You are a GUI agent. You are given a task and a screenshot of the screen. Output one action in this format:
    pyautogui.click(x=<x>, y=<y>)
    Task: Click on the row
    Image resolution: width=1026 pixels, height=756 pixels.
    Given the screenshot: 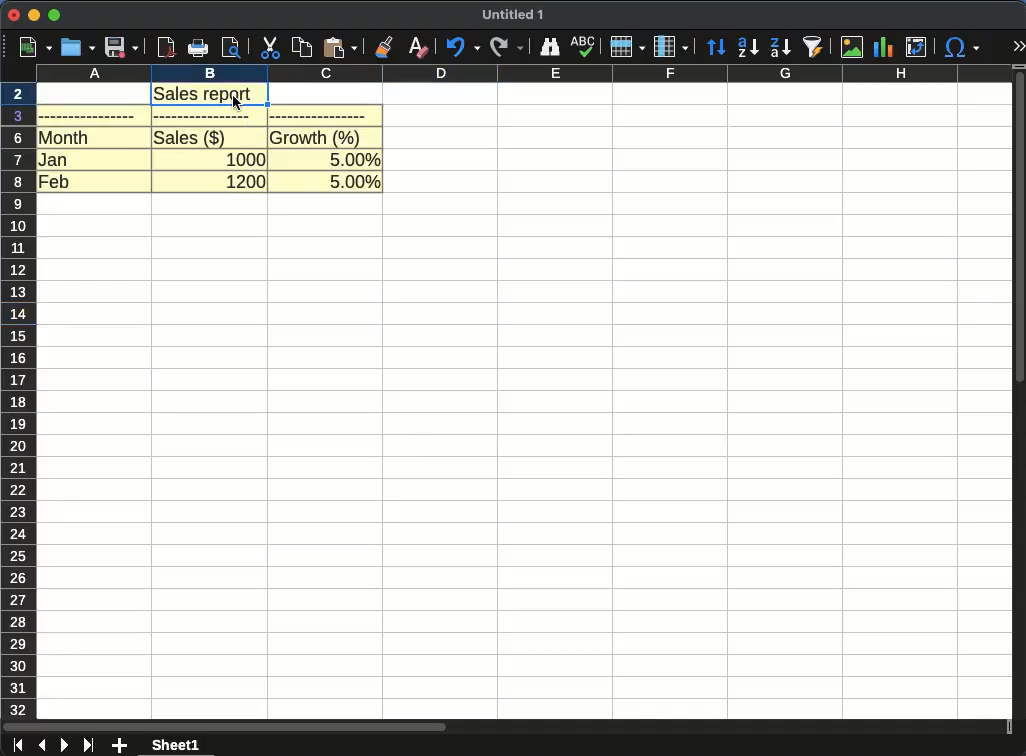 What is the action you would take?
    pyautogui.click(x=627, y=46)
    